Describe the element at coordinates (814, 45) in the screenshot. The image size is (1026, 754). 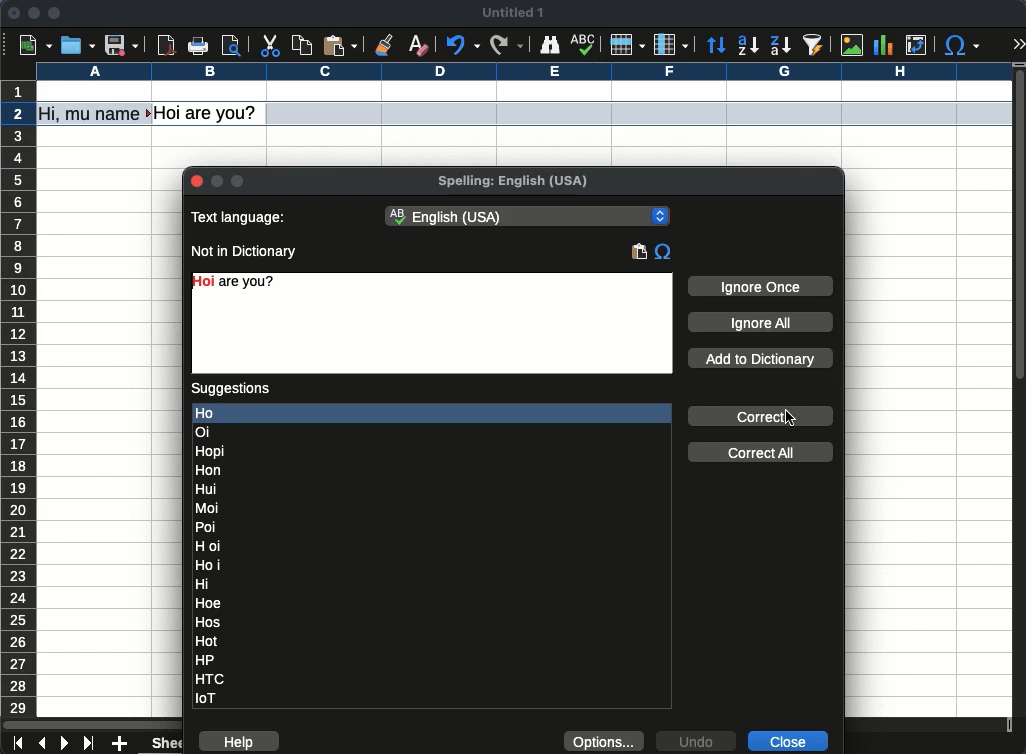
I see `sort` at that location.